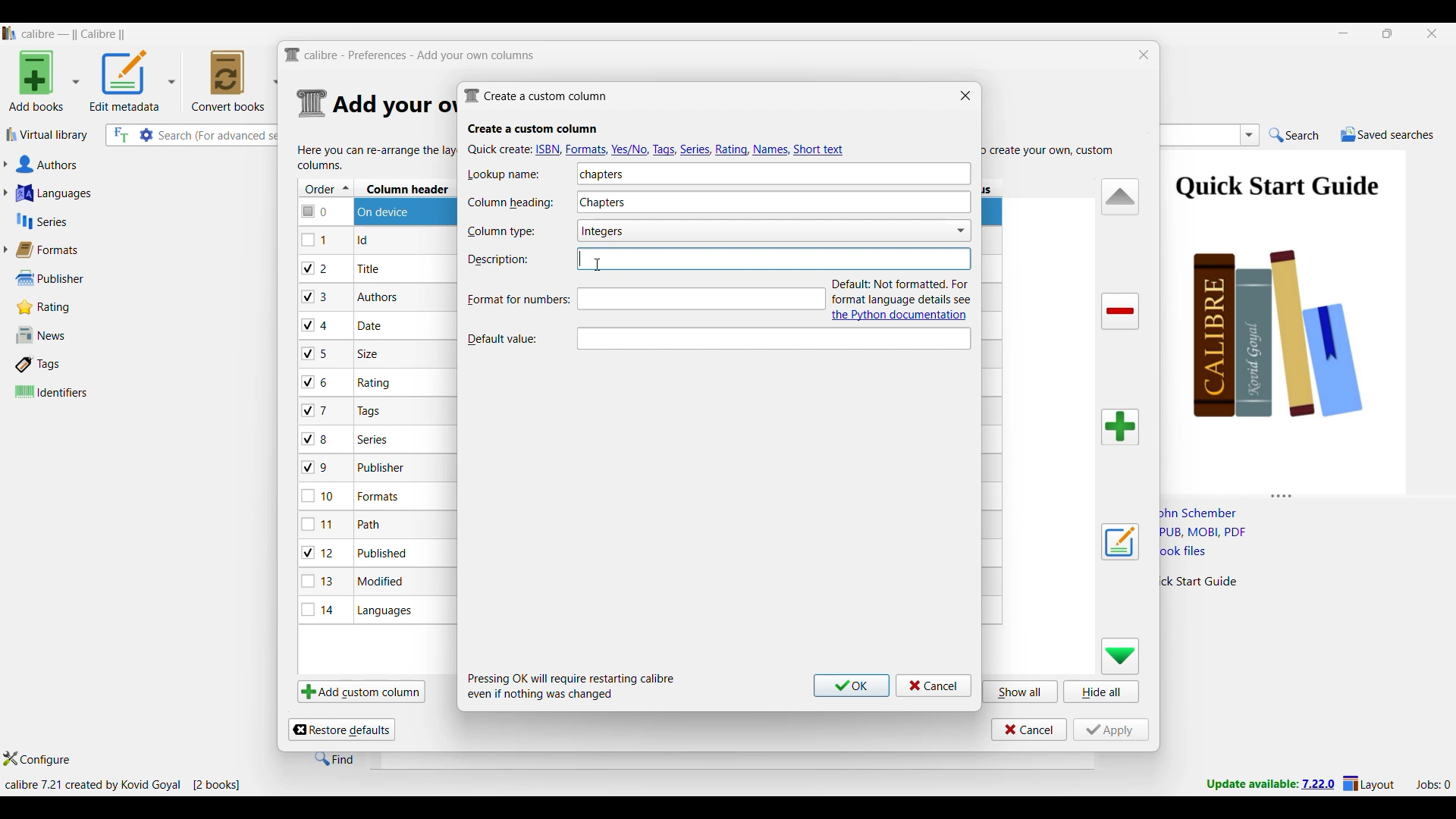 This screenshot has width=1456, height=819. What do you see at coordinates (316, 438) in the screenshot?
I see `checkbox - 8` at bounding box center [316, 438].